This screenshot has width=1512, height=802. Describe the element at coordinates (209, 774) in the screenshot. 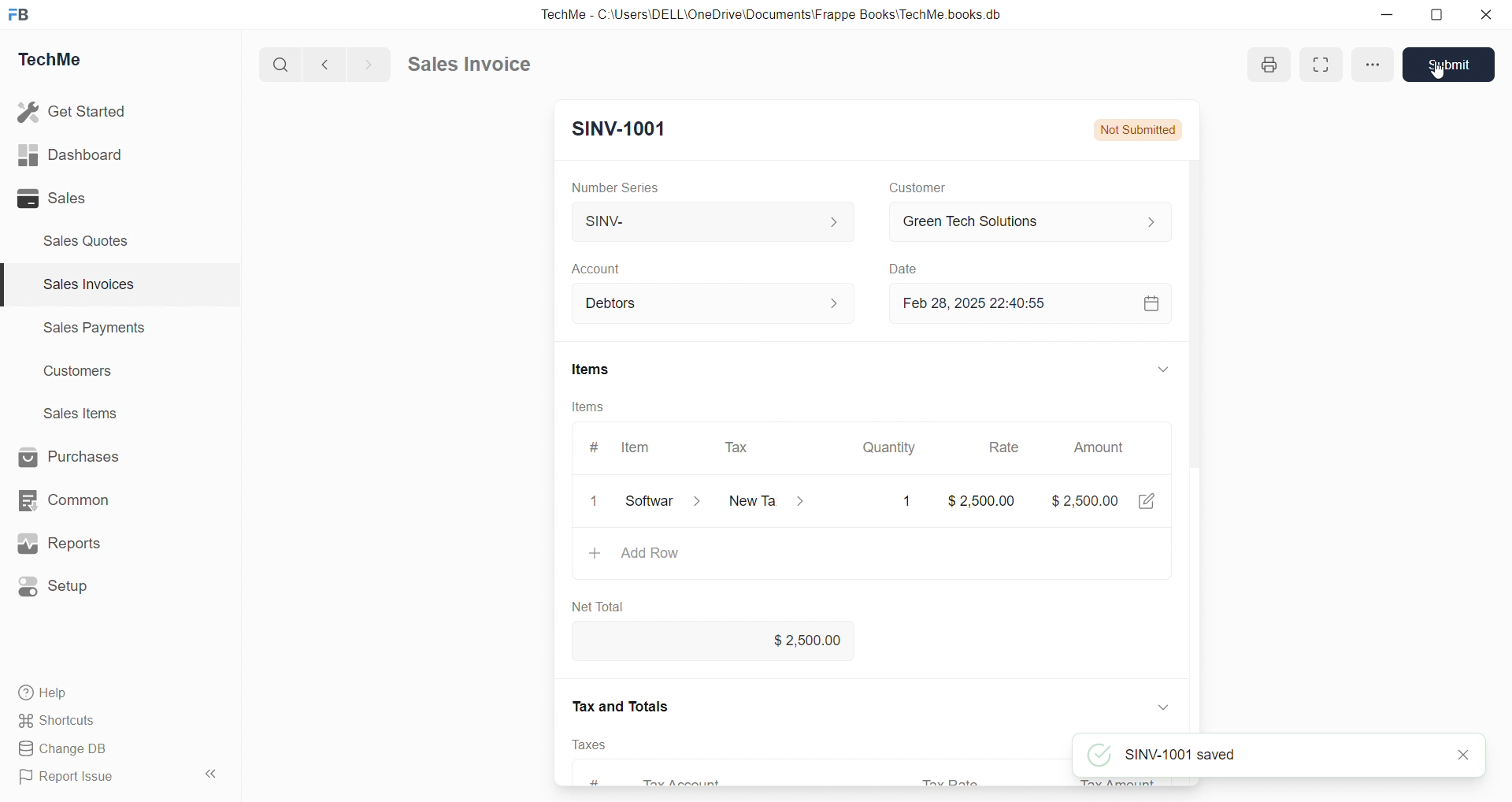

I see `<<` at that location.